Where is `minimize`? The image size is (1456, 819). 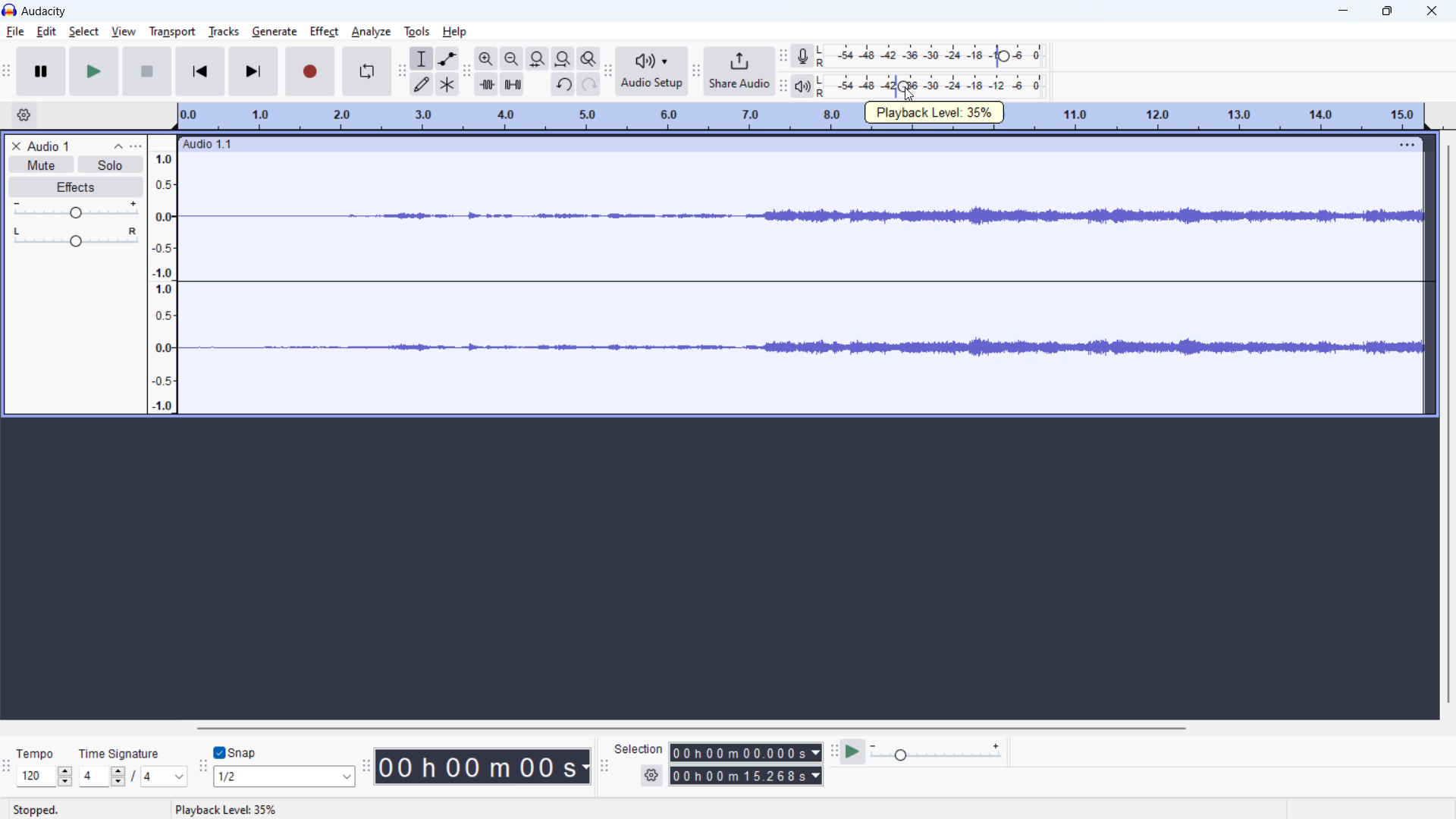 minimize is located at coordinates (1345, 11).